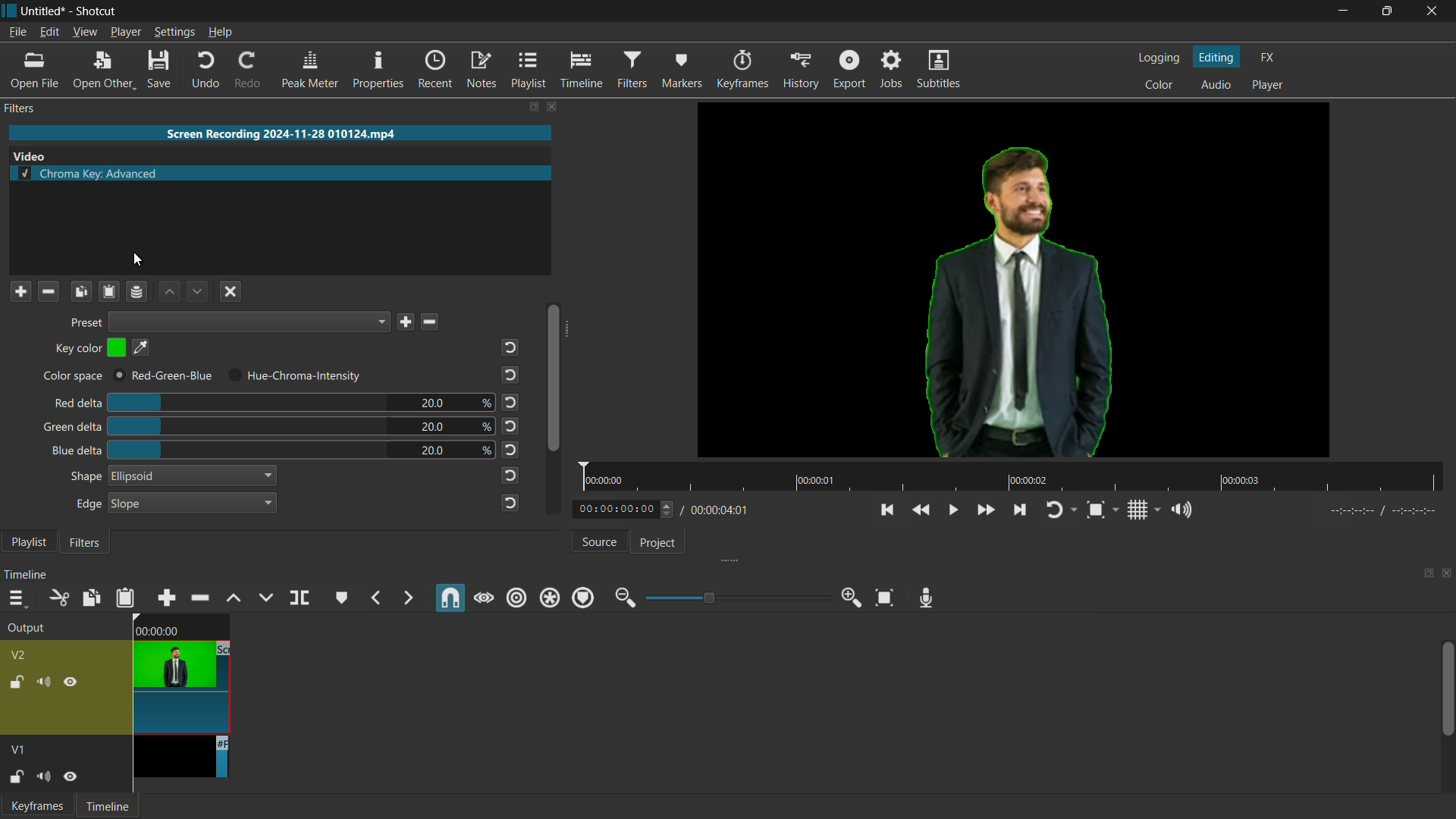 This screenshot has width=1456, height=819. Describe the element at coordinates (554, 376) in the screenshot. I see `scroll bar` at that location.